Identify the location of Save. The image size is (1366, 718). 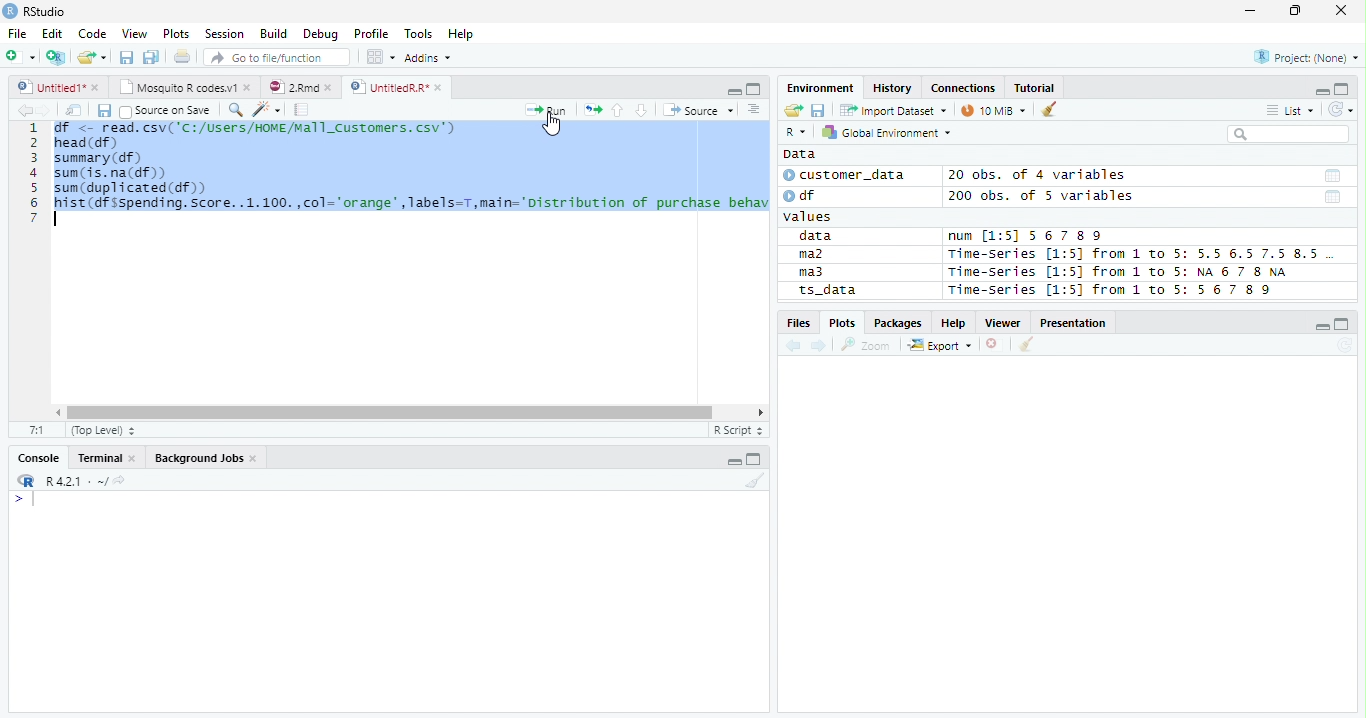
(818, 109).